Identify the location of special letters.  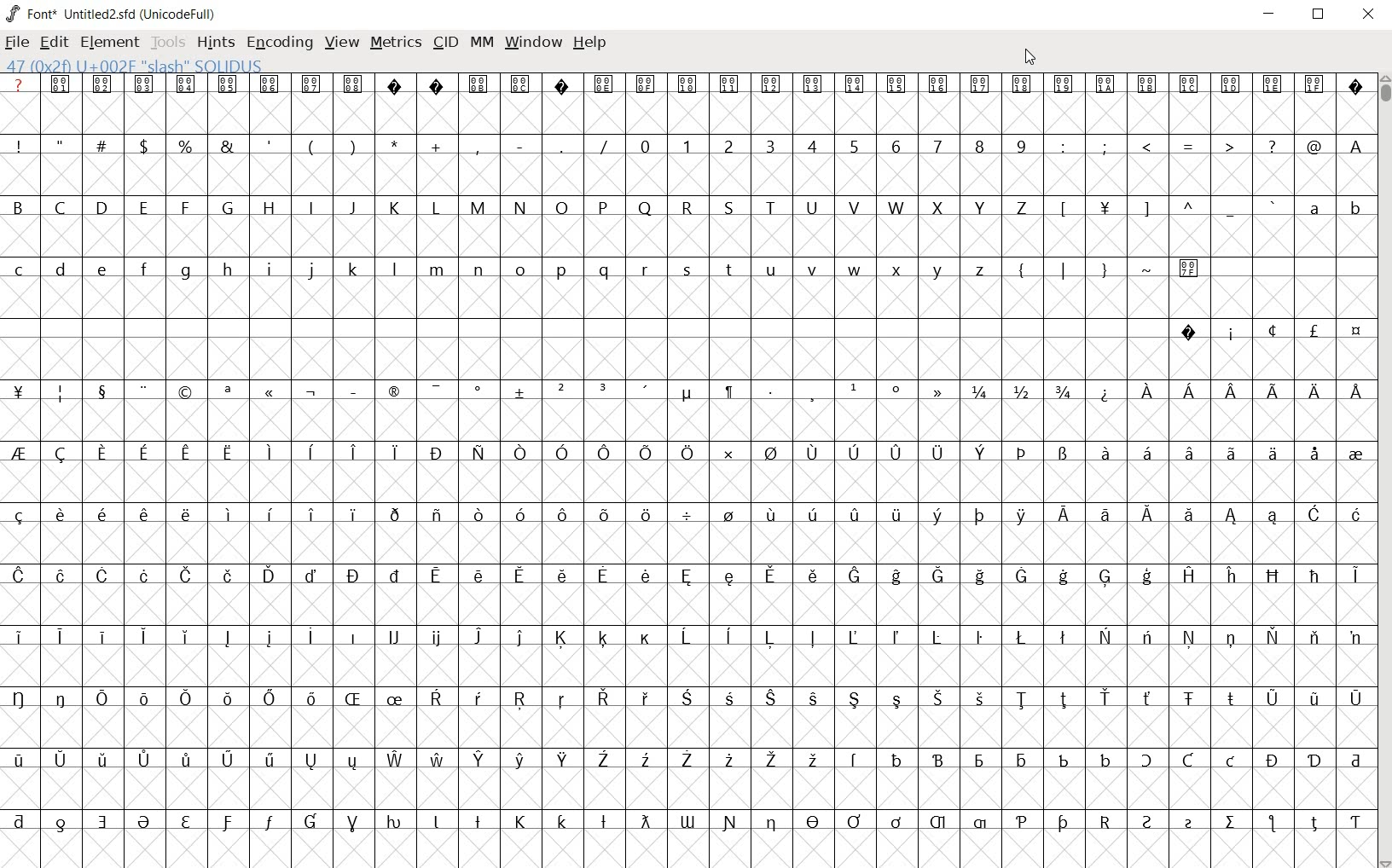
(686, 697).